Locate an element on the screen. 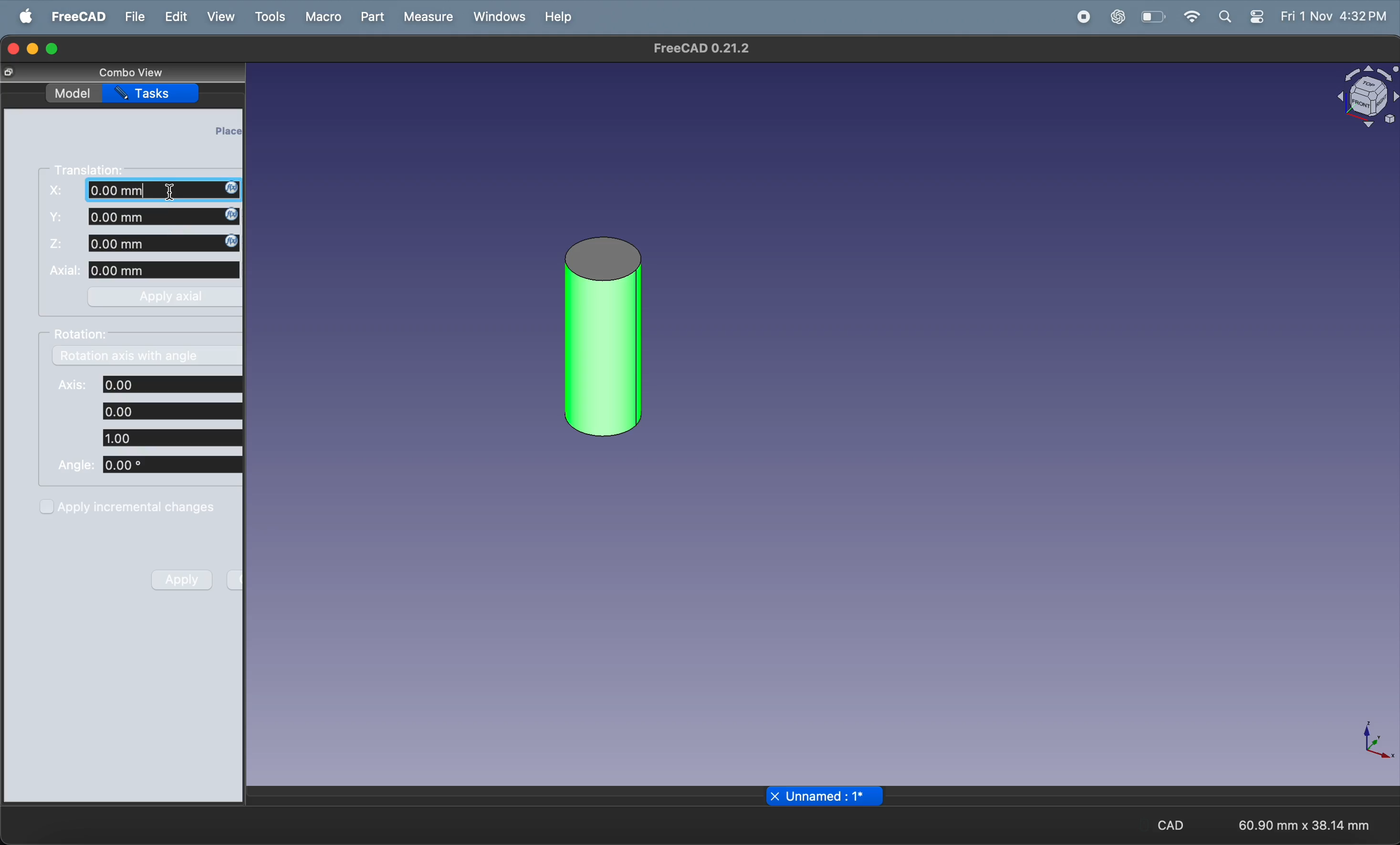 Image resolution: width=1400 pixels, height=845 pixels. Fri 1 Nov 4:32 PM is located at coordinates (1334, 17).